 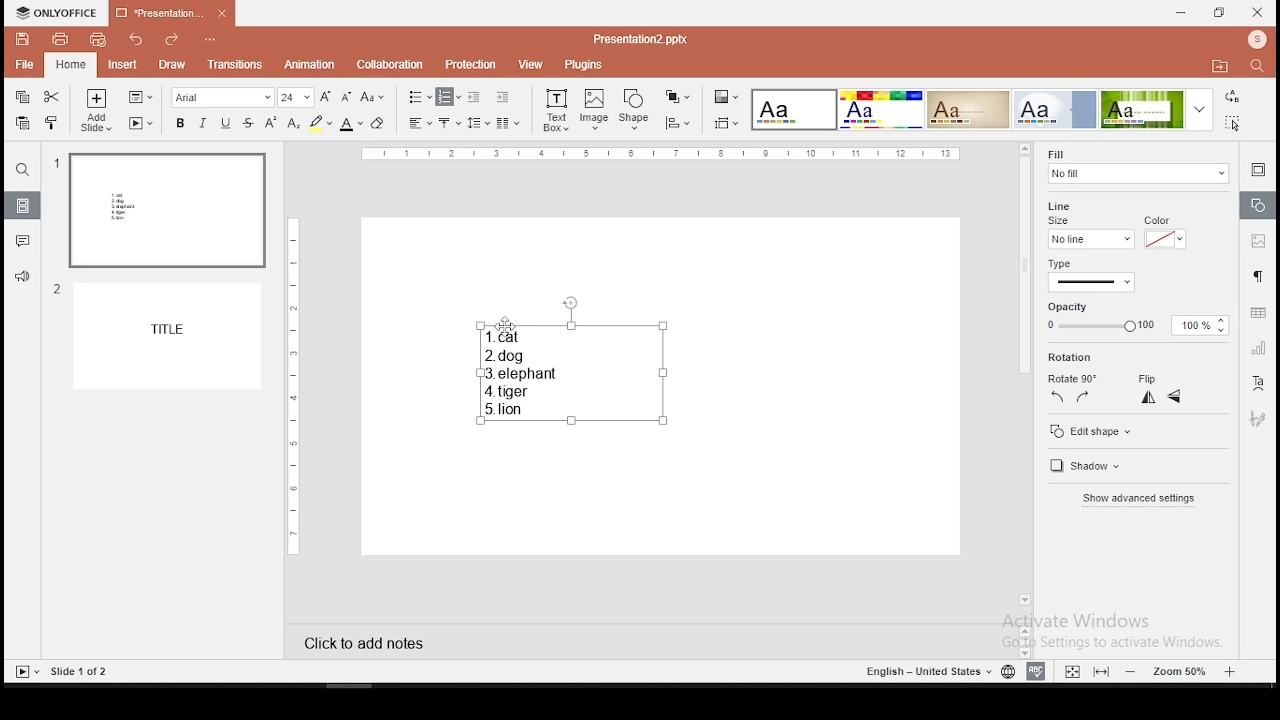 I want to click on type, so click(x=1065, y=263).